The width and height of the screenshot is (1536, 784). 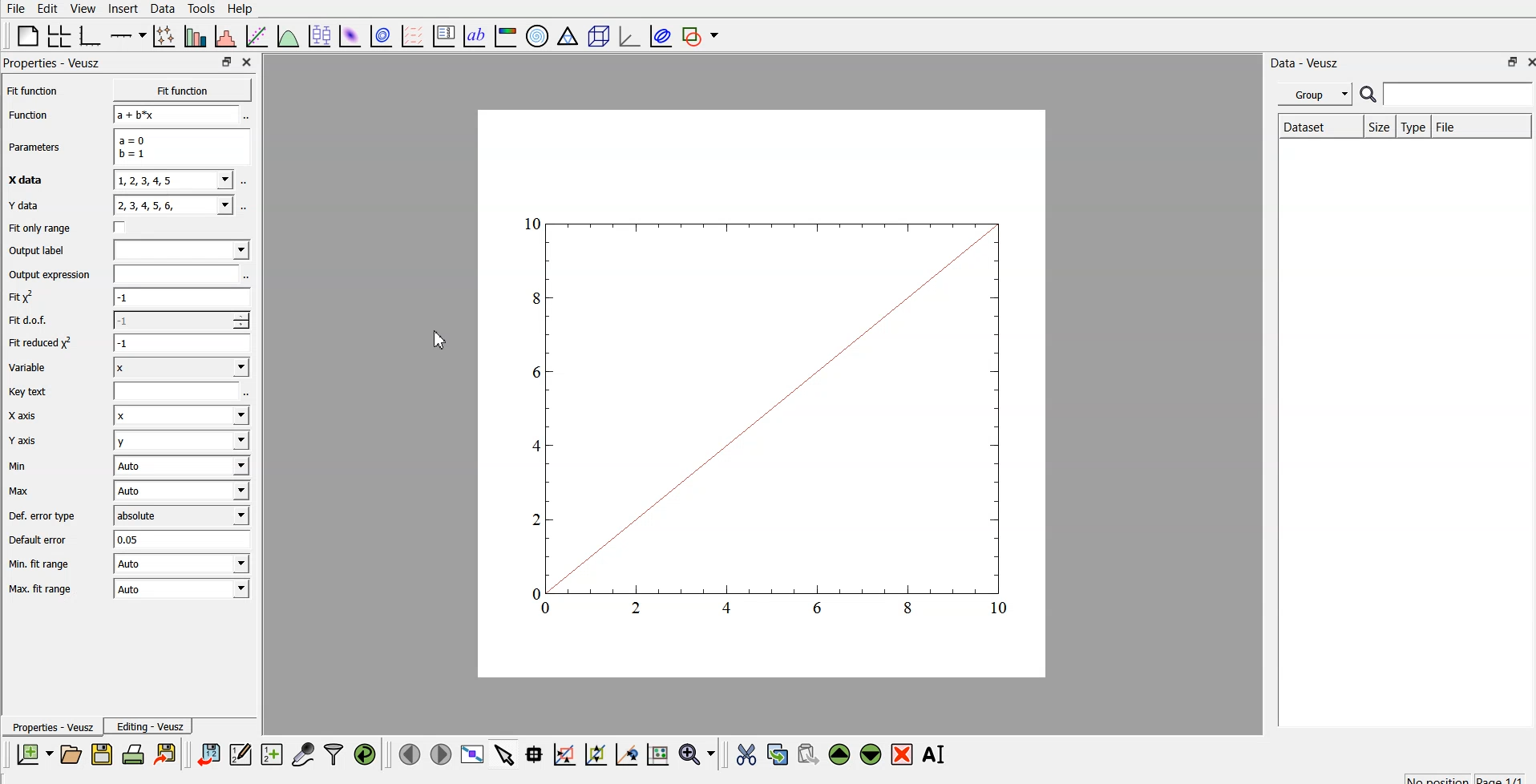 I want to click on Properties - Veusz, so click(x=53, y=726).